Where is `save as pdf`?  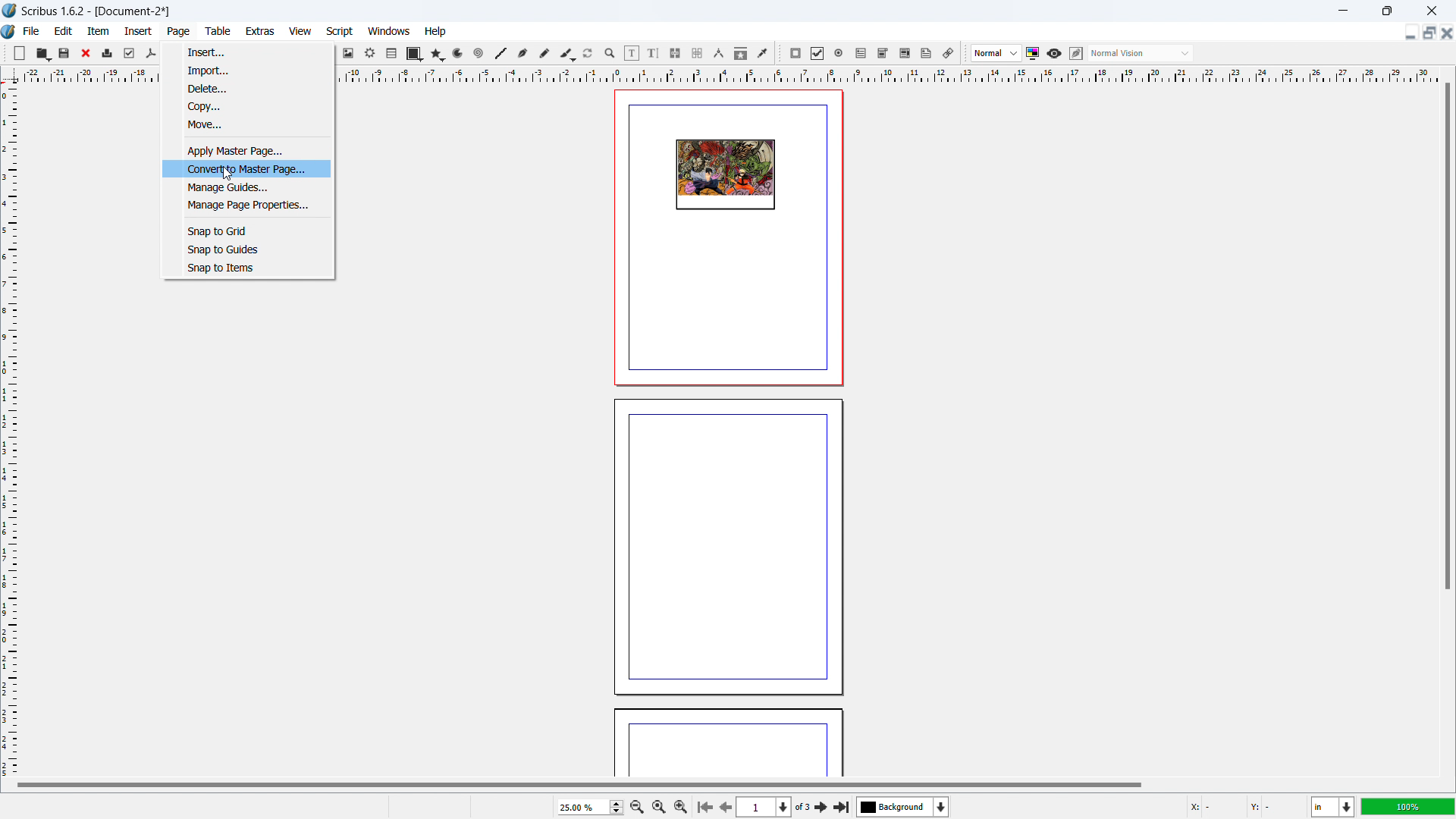 save as pdf is located at coordinates (150, 53).